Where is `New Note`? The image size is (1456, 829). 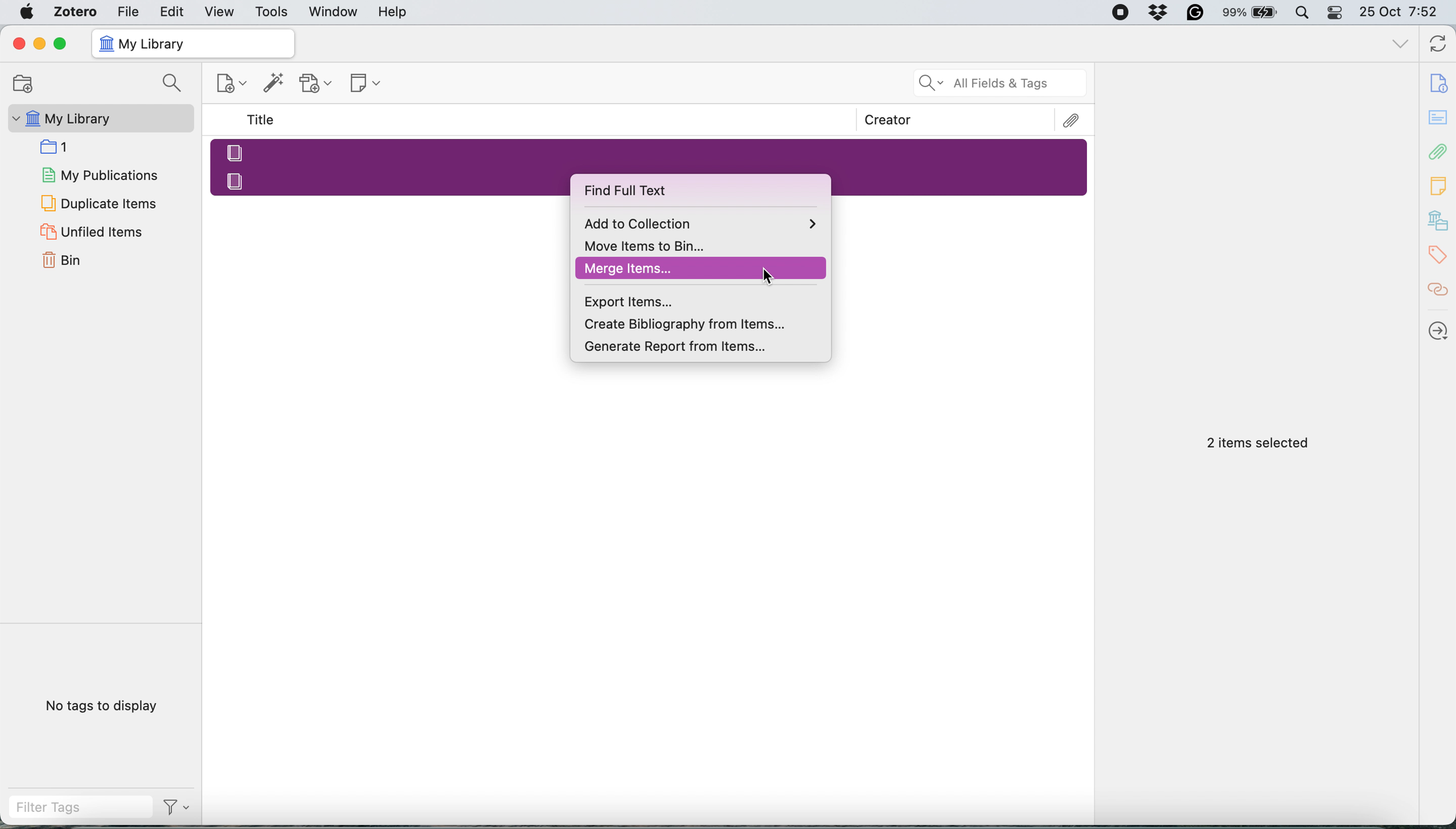 New Note is located at coordinates (367, 84).